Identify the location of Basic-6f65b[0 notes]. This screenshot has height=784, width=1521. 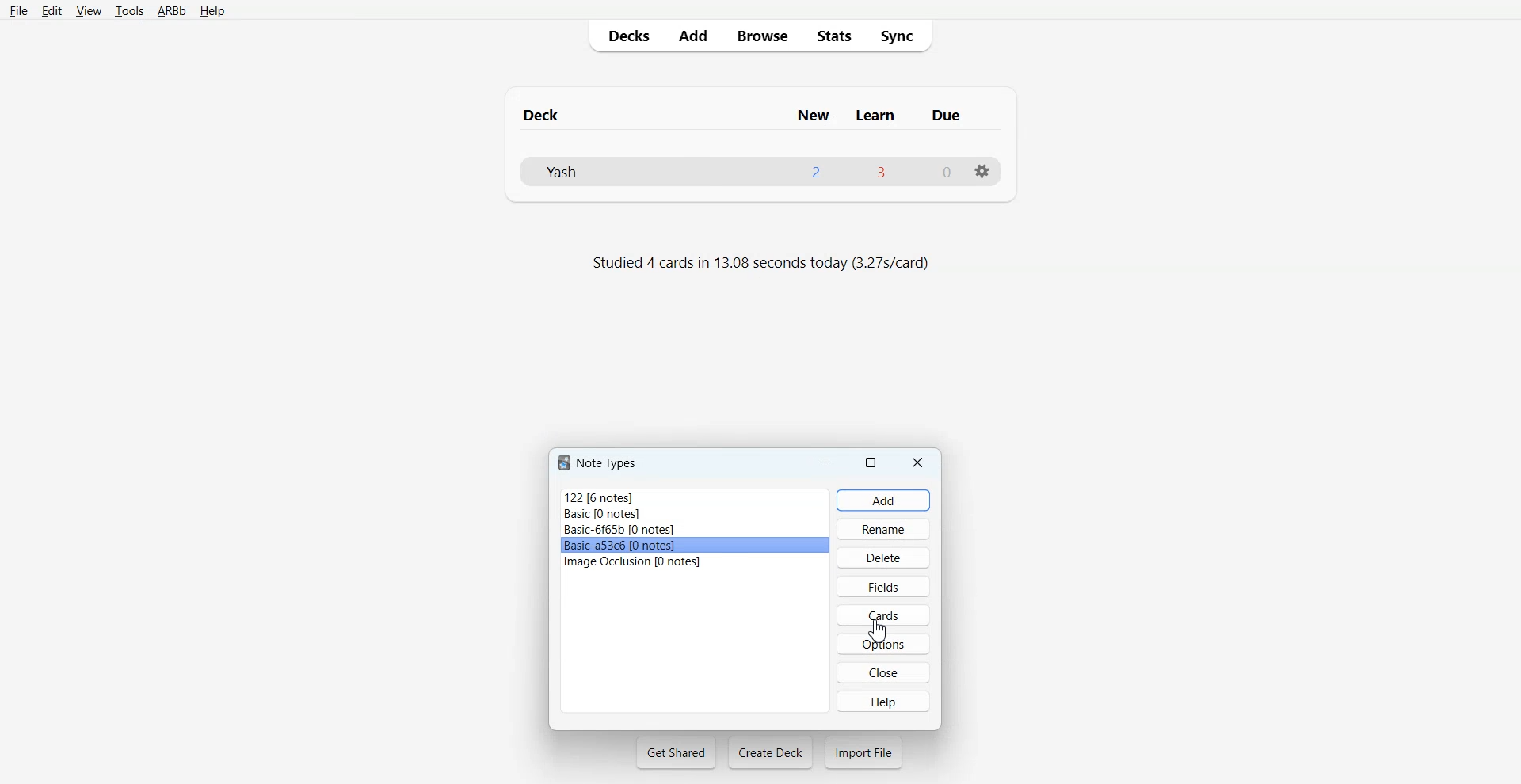
(696, 530).